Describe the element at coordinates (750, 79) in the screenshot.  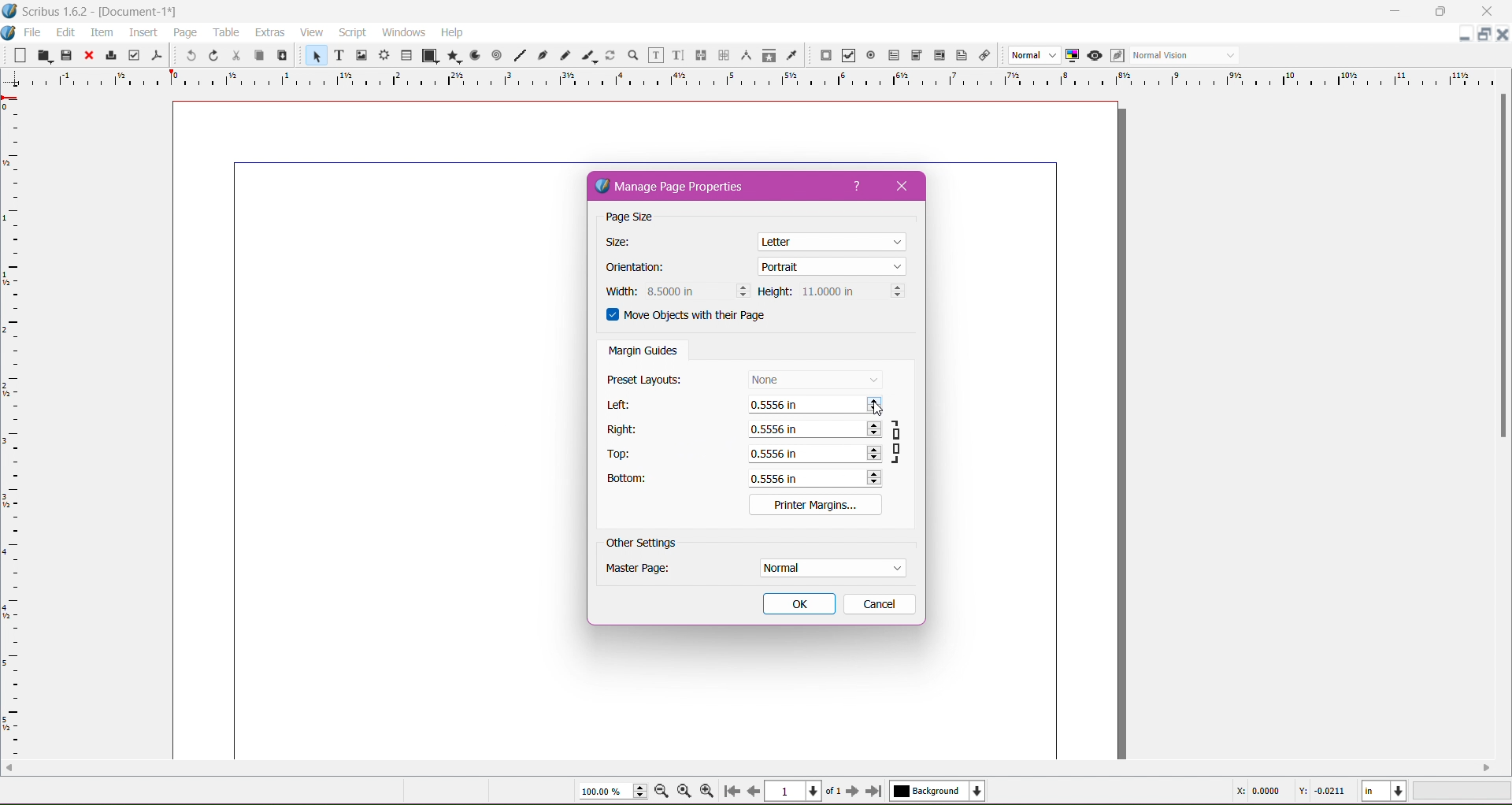
I see `Ruler` at that location.